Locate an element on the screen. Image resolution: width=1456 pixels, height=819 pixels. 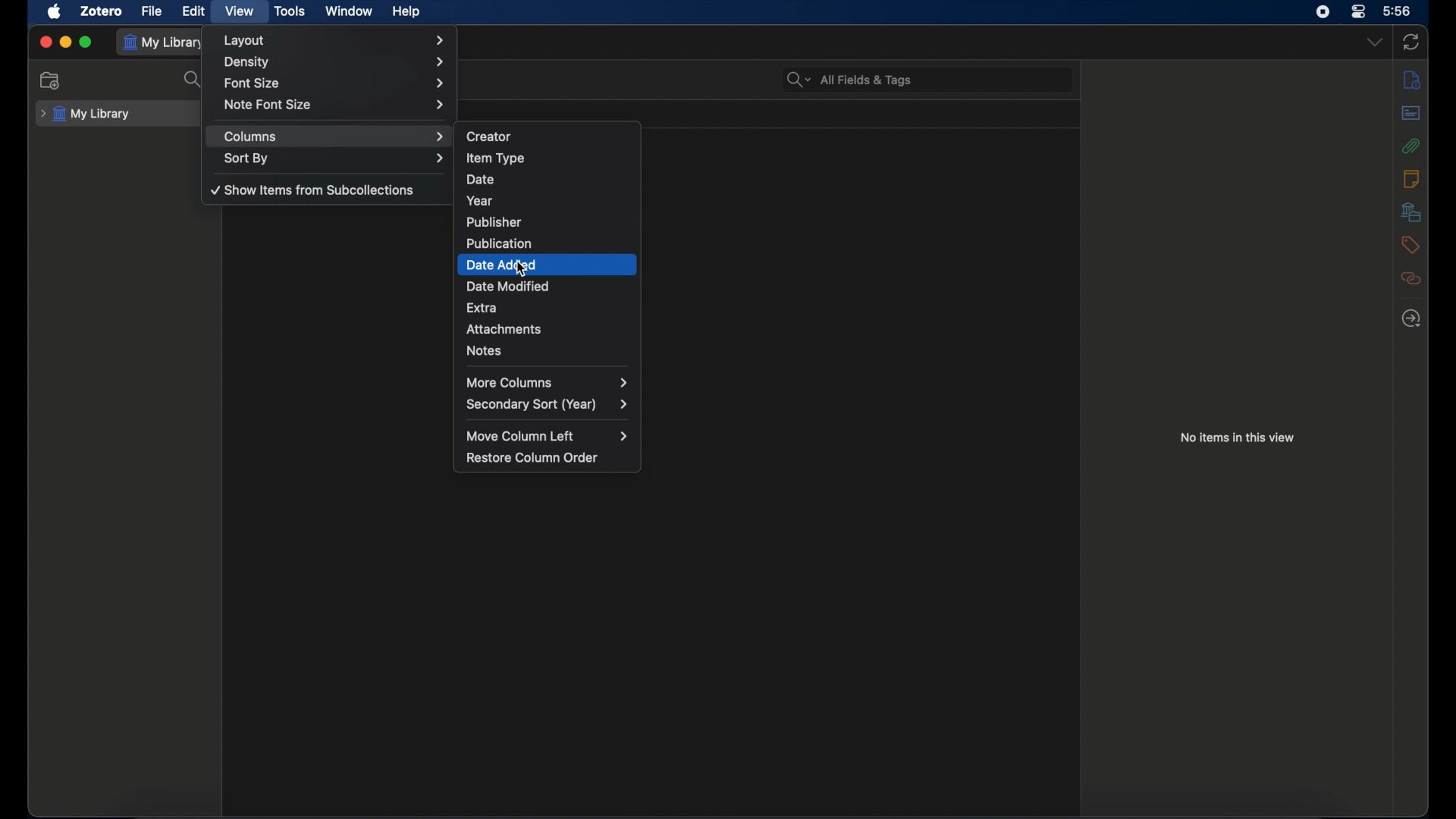
control center is located at coordinates (1357, 11).